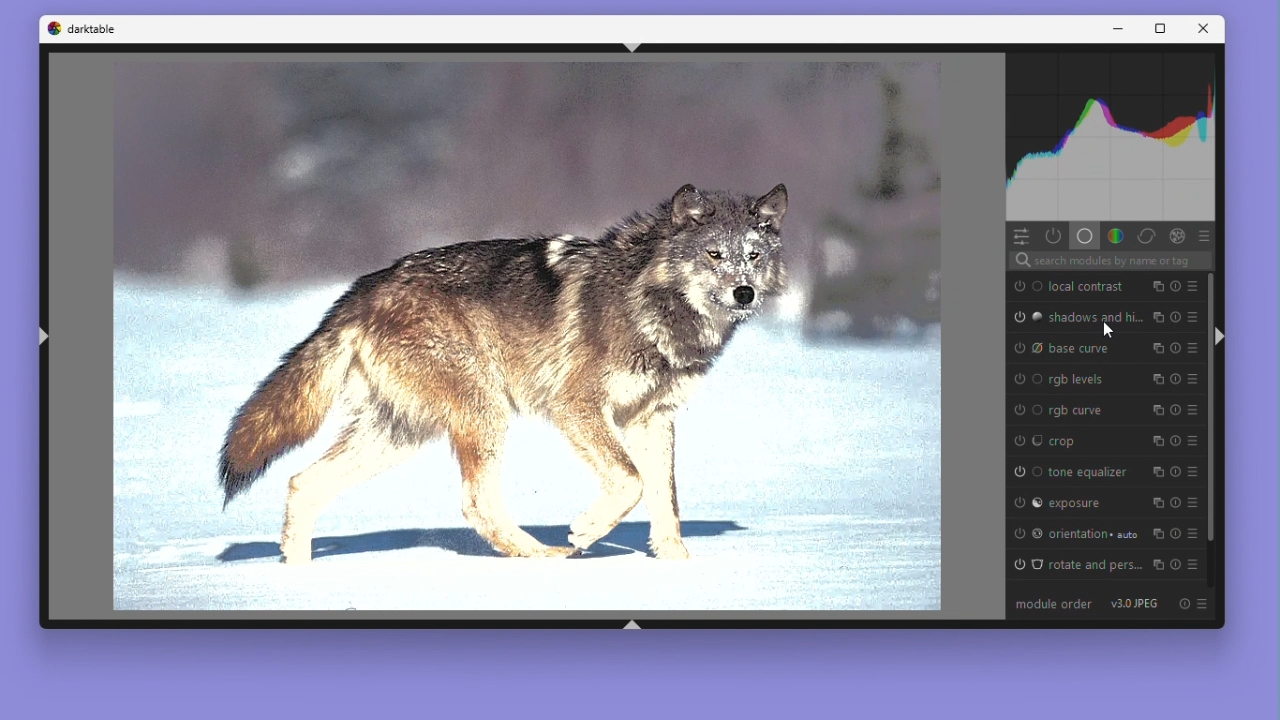  I want to click on darktable, so click(106, 29).